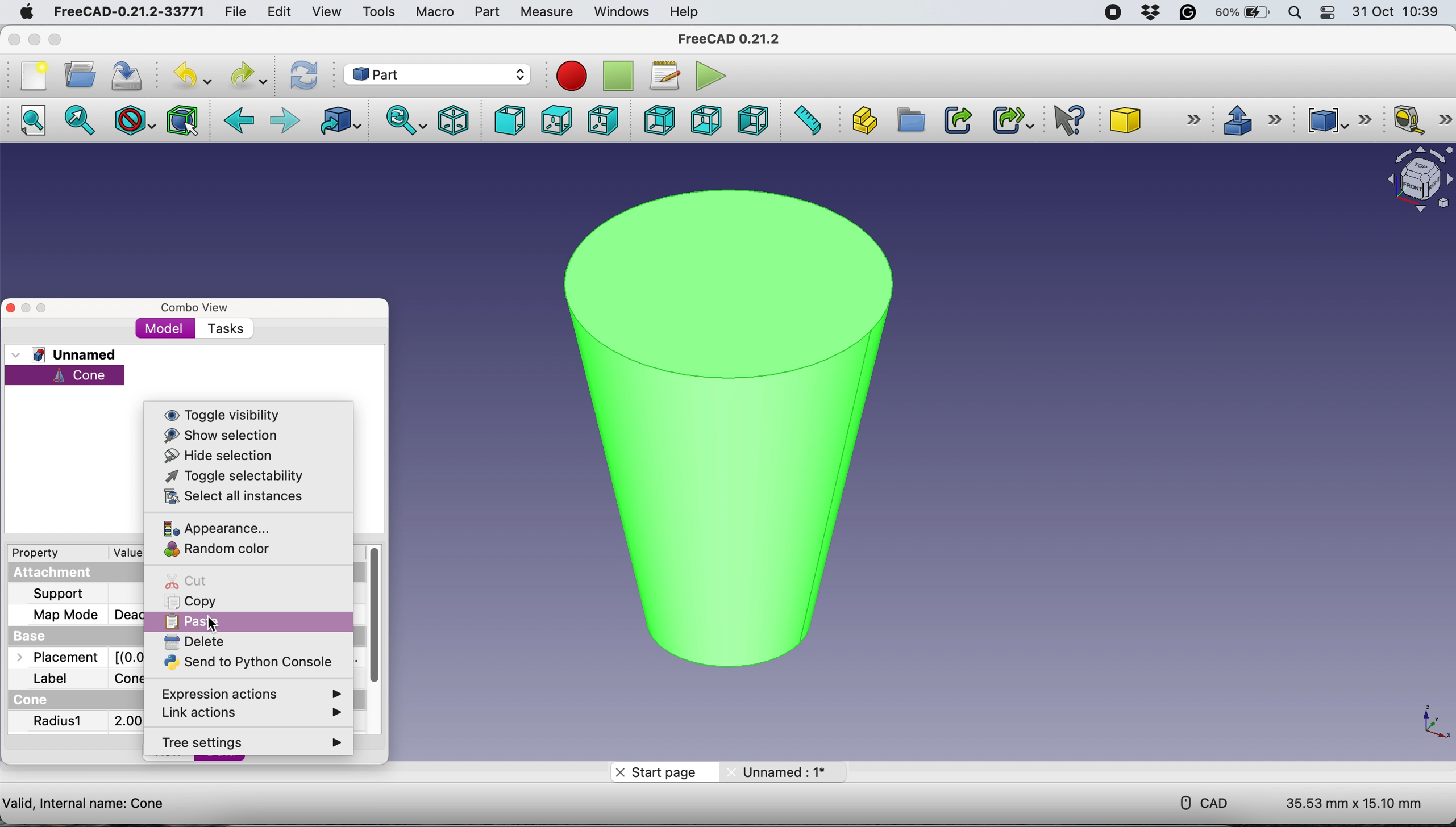 This screenshot has height=827, width=1456. Describe the element at coordinates (546, 12) in the screenshot. I see `measure` at that location.